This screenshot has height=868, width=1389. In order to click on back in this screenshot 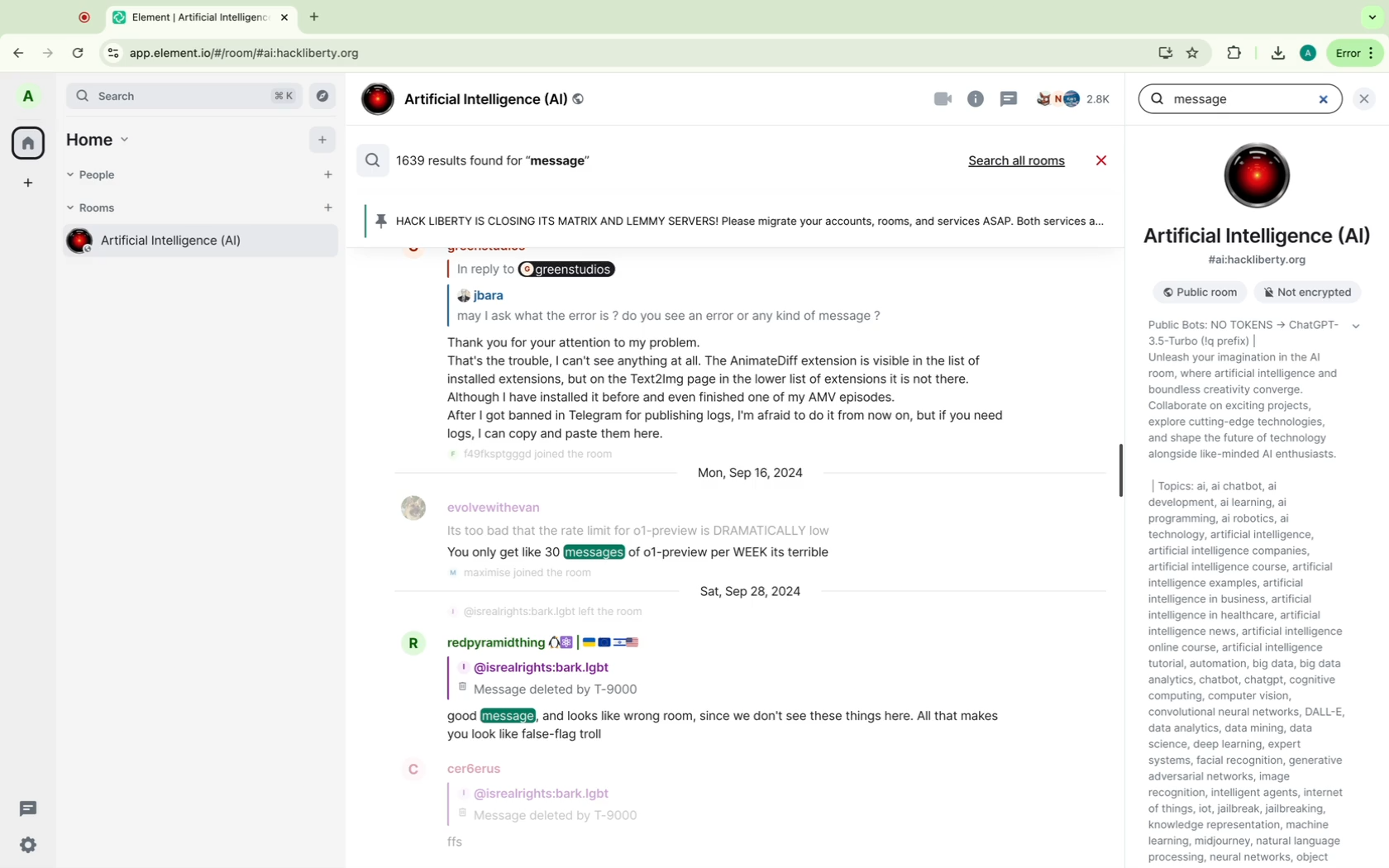, I will do `click(24, 49)`.